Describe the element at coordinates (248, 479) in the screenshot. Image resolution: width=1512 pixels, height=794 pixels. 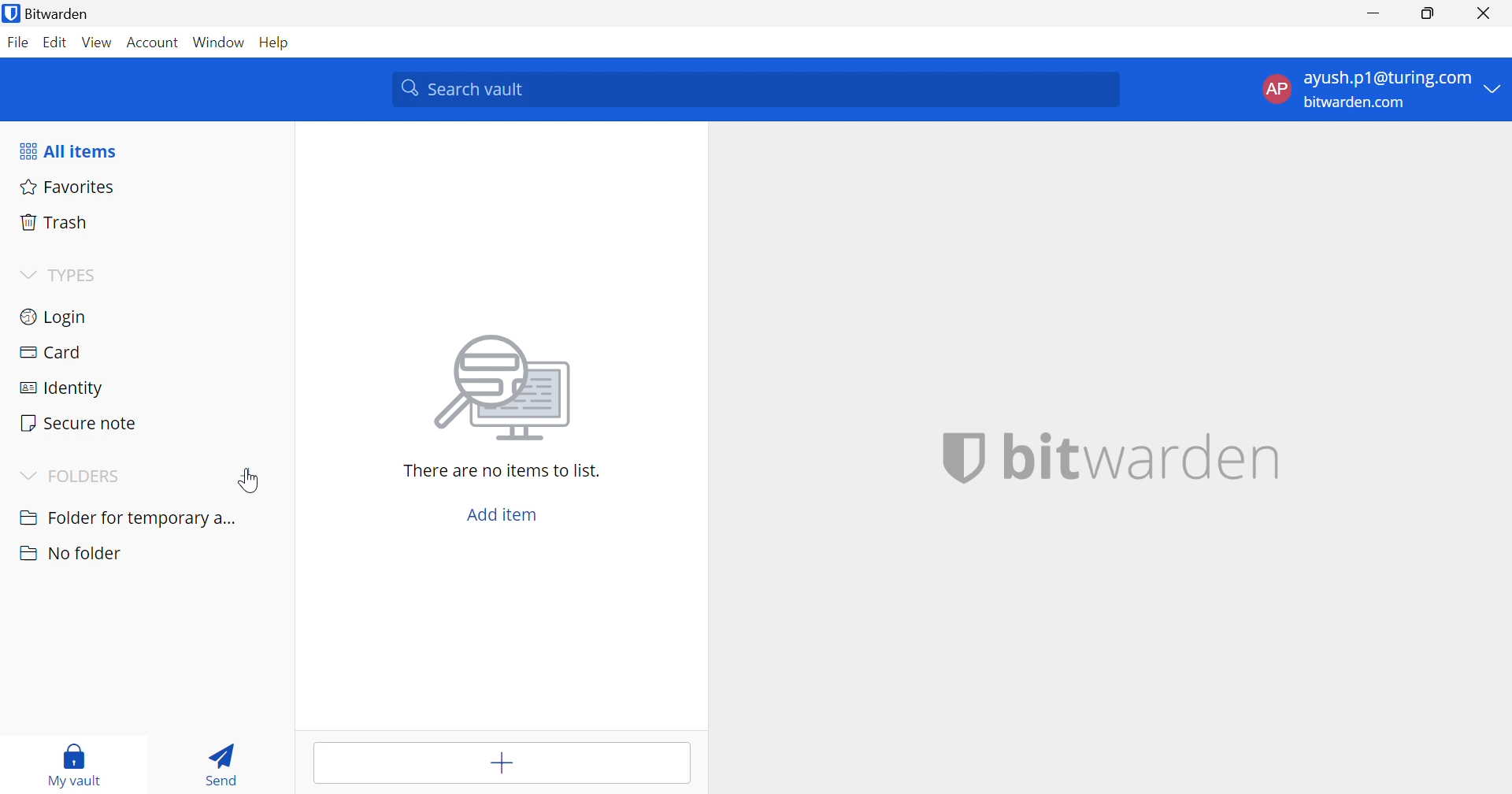
I see `Cursor` at that location.